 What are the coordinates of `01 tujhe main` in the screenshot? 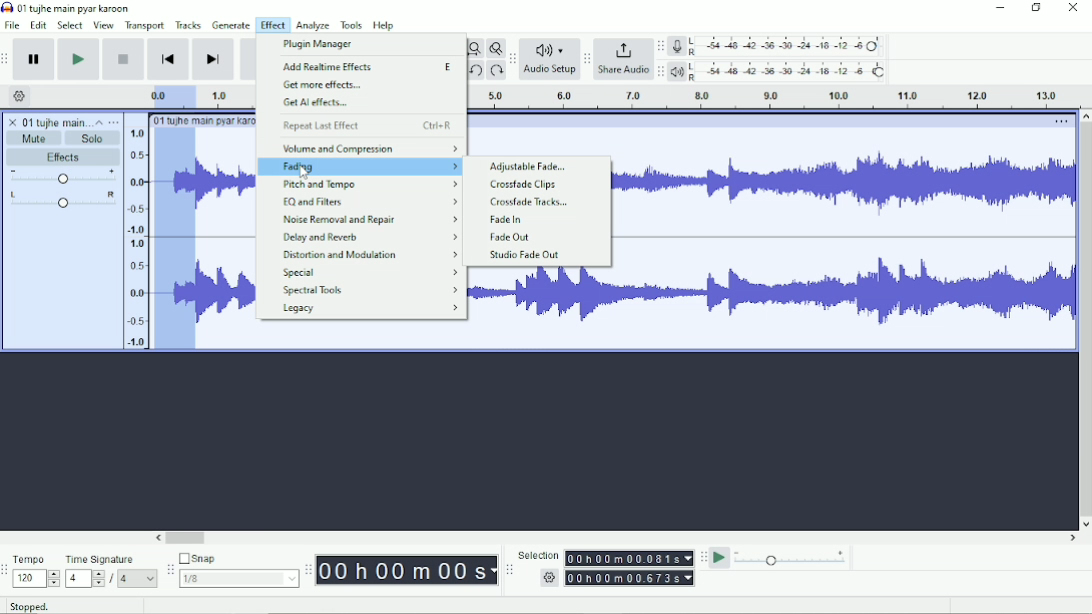 It's located at (56, 123).